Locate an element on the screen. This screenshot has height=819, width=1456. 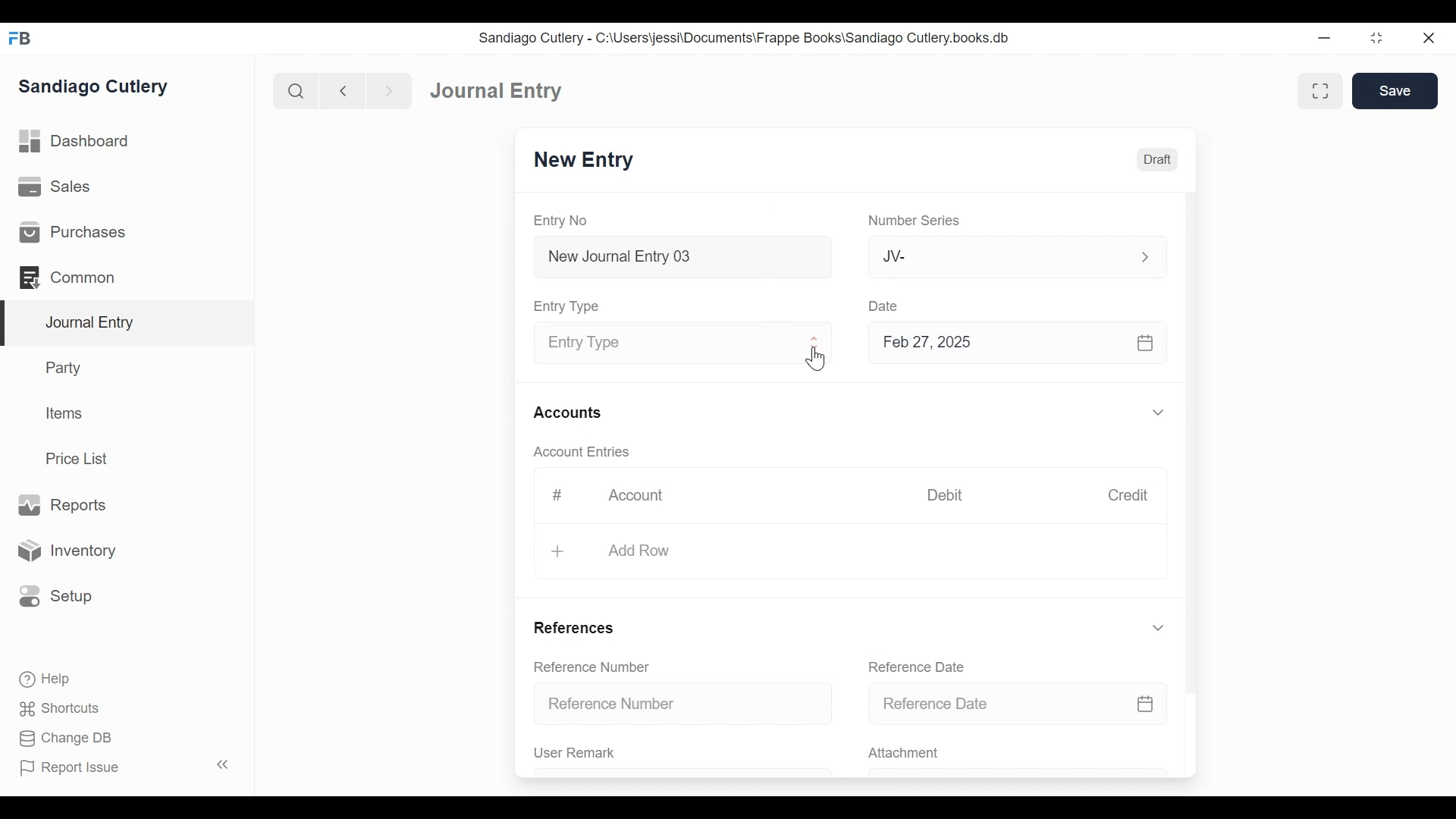
Save is located at coordinates (1397, 91).